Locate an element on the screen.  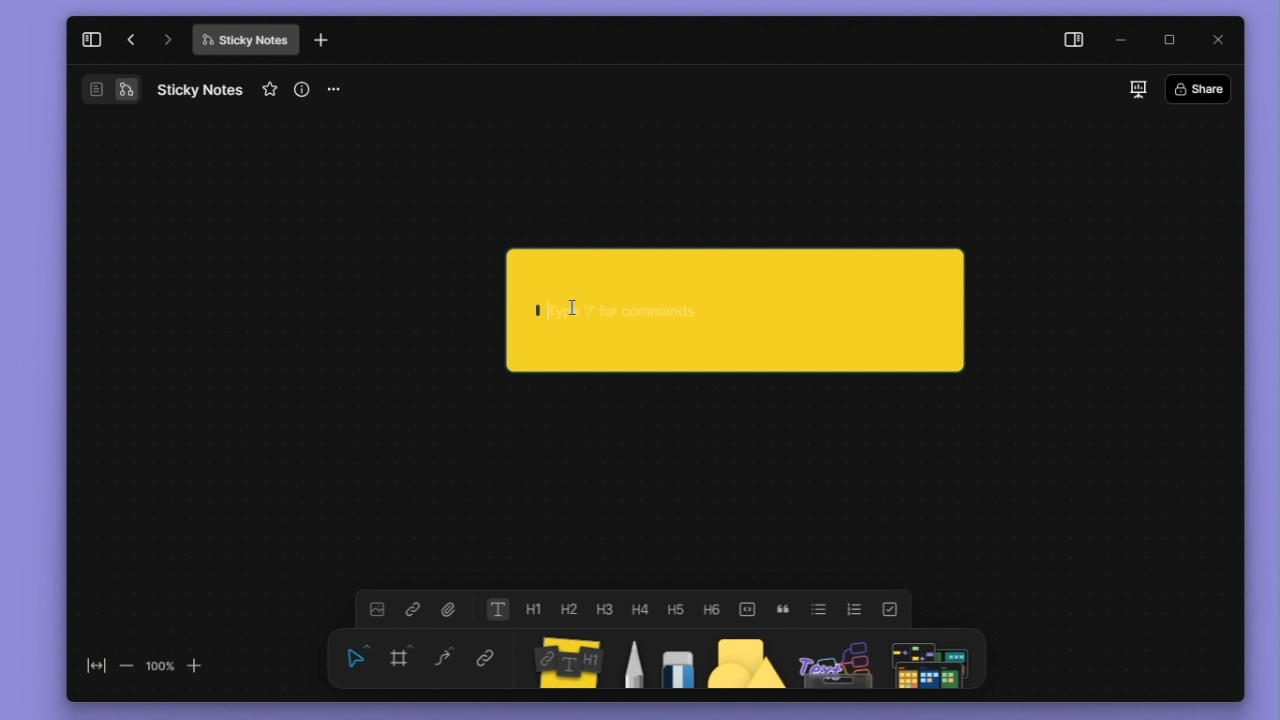
link is located at coordinates (418, 611).